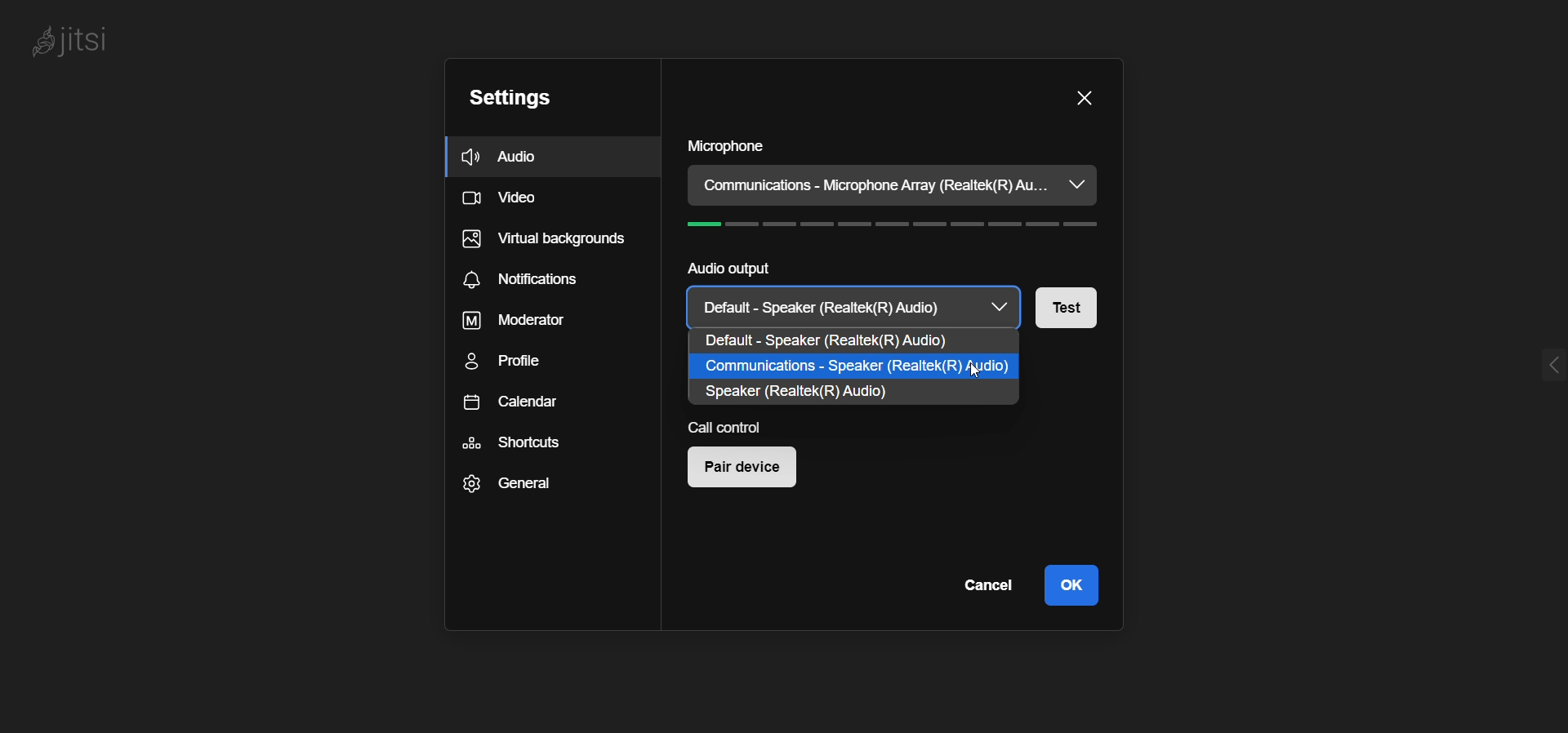 The width and height of the screenshot is (1568, 733). What do you see at coordinates (506, 157) in the screenshot?
I see `audio` at bounding box center [506, 157].